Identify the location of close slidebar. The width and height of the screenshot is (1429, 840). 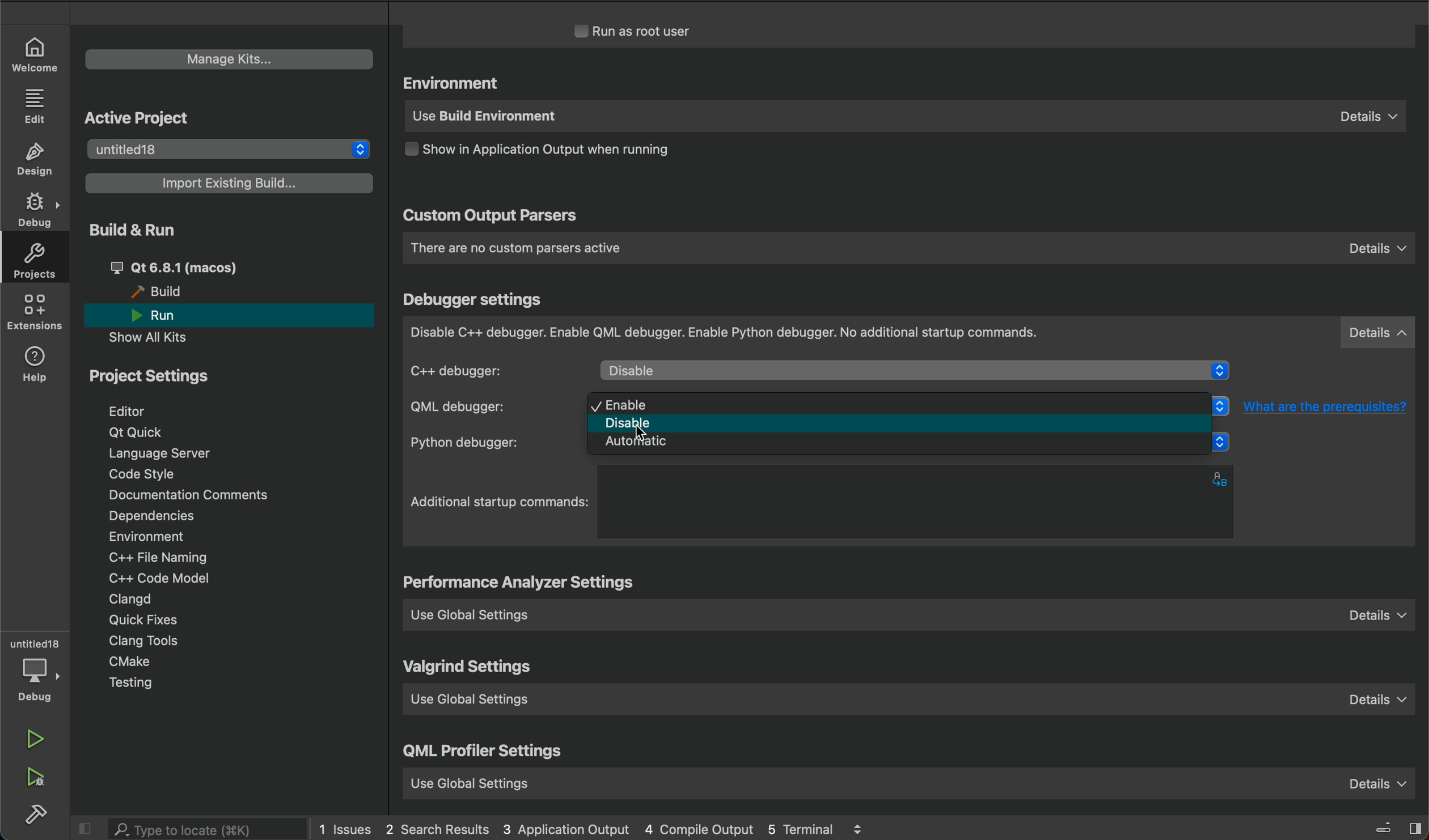
(1384, 826).